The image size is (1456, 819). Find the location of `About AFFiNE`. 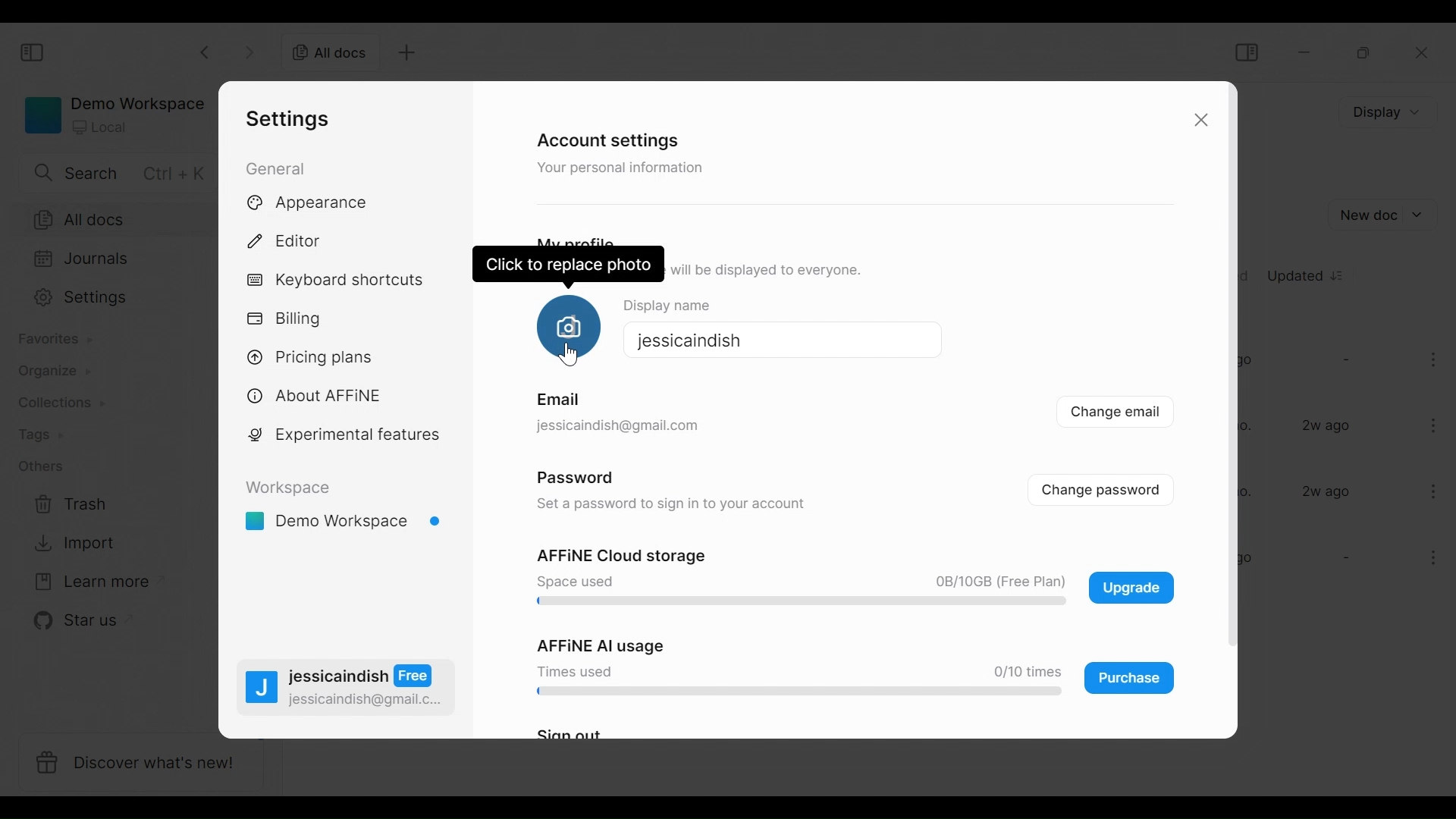

About AFFiNE is located at coordinates (315, 397).